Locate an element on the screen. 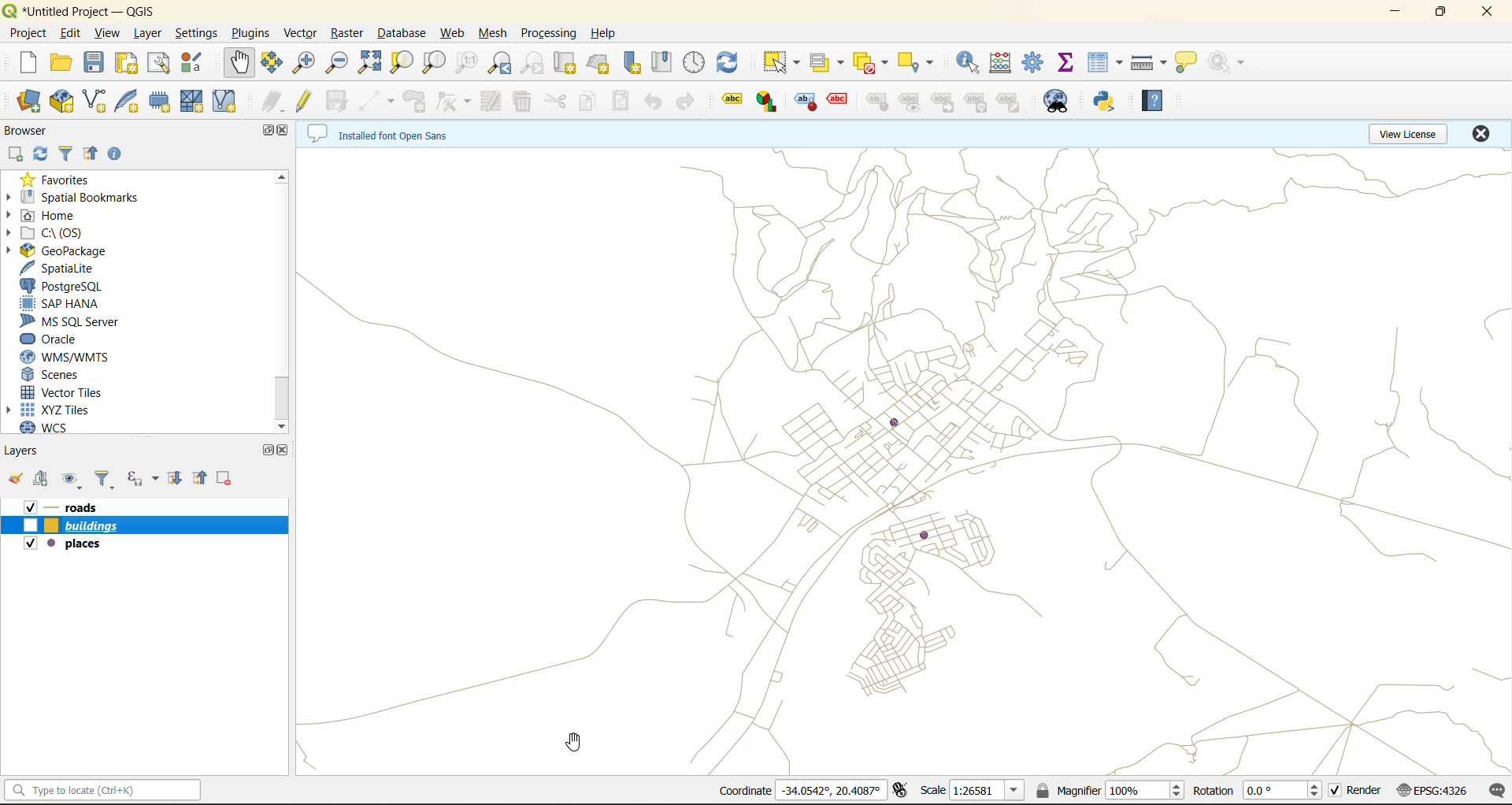 This screenshot has width=1512, height=805. help is located at coordinates (1160, 104).